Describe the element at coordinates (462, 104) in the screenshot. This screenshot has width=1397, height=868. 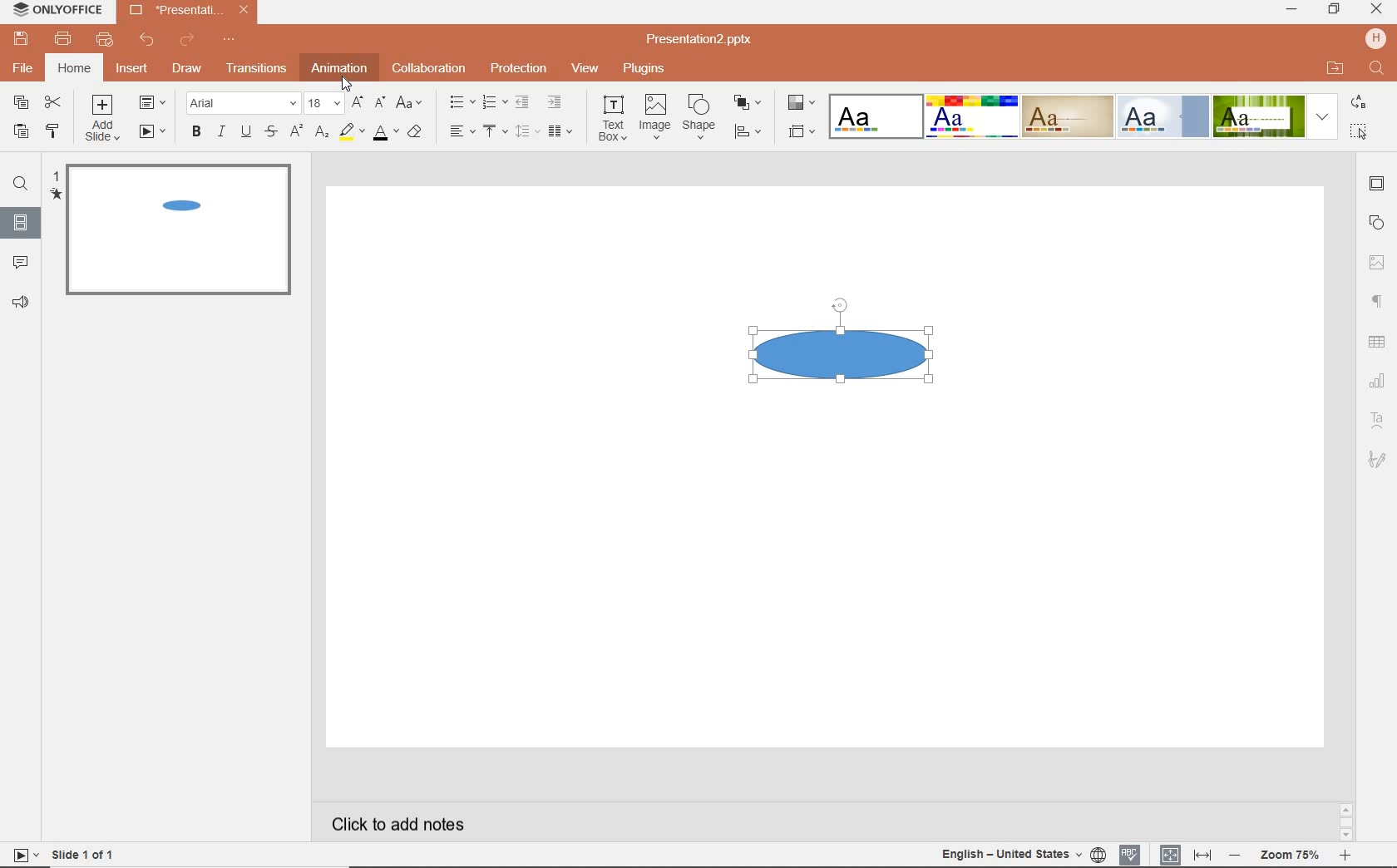
I see `BULLETS` at that location.